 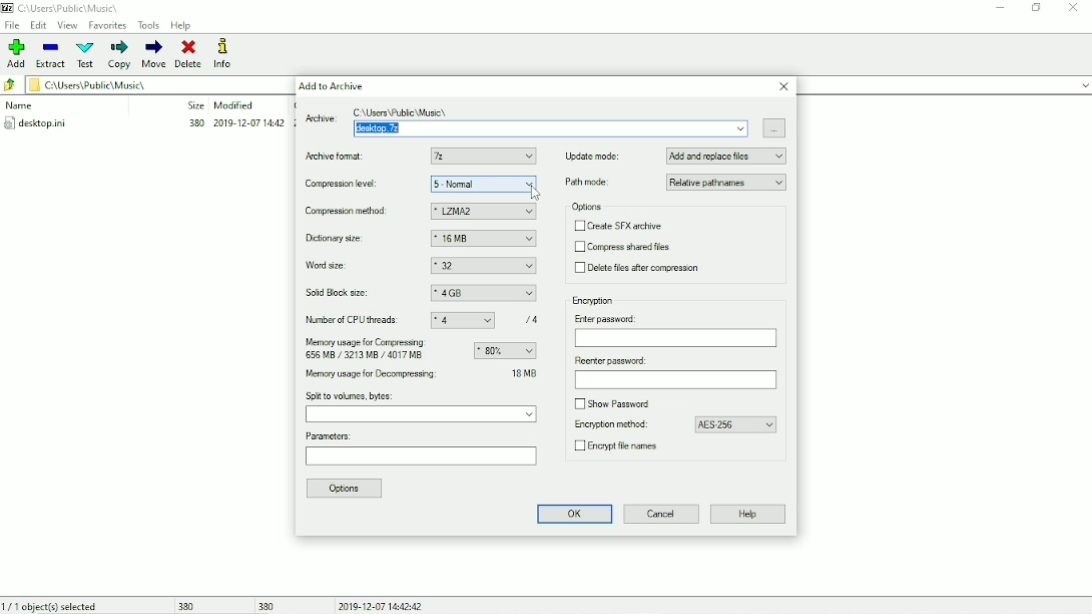 I want to click on Help, so click(x=182, y=25).